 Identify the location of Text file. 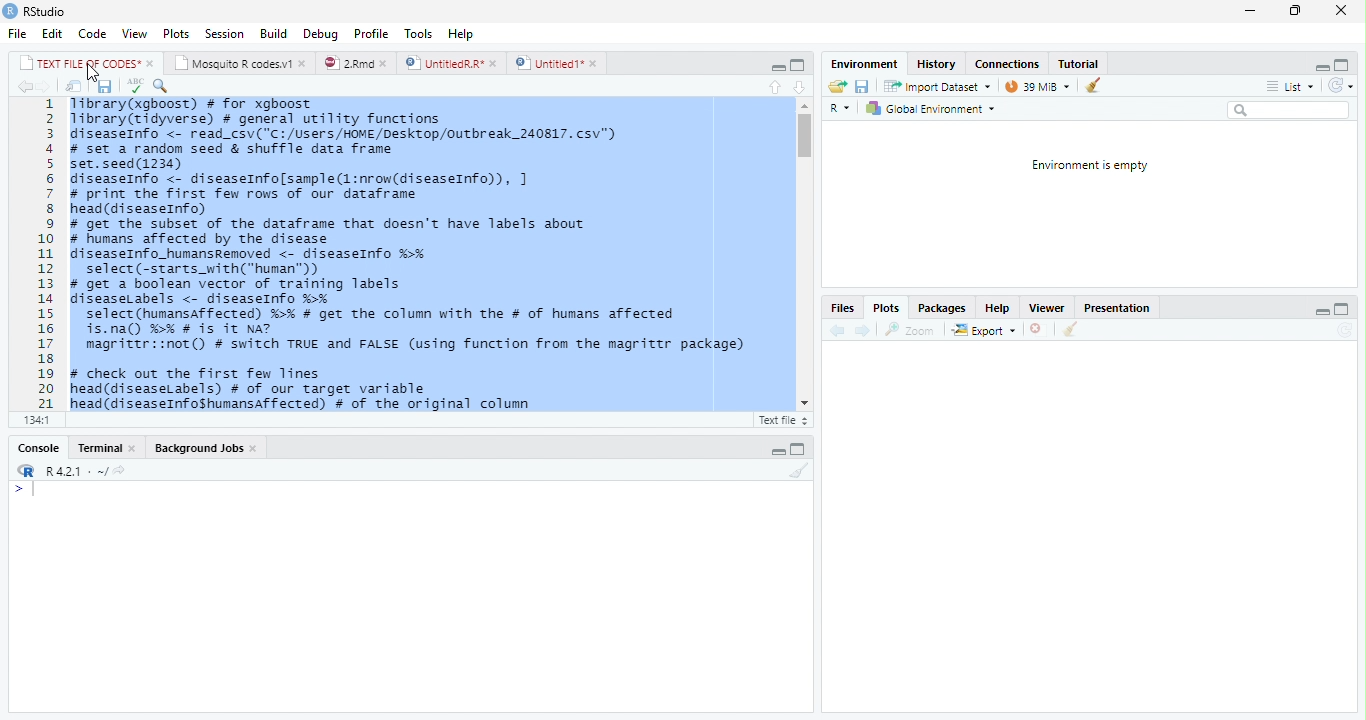
(783, 418).